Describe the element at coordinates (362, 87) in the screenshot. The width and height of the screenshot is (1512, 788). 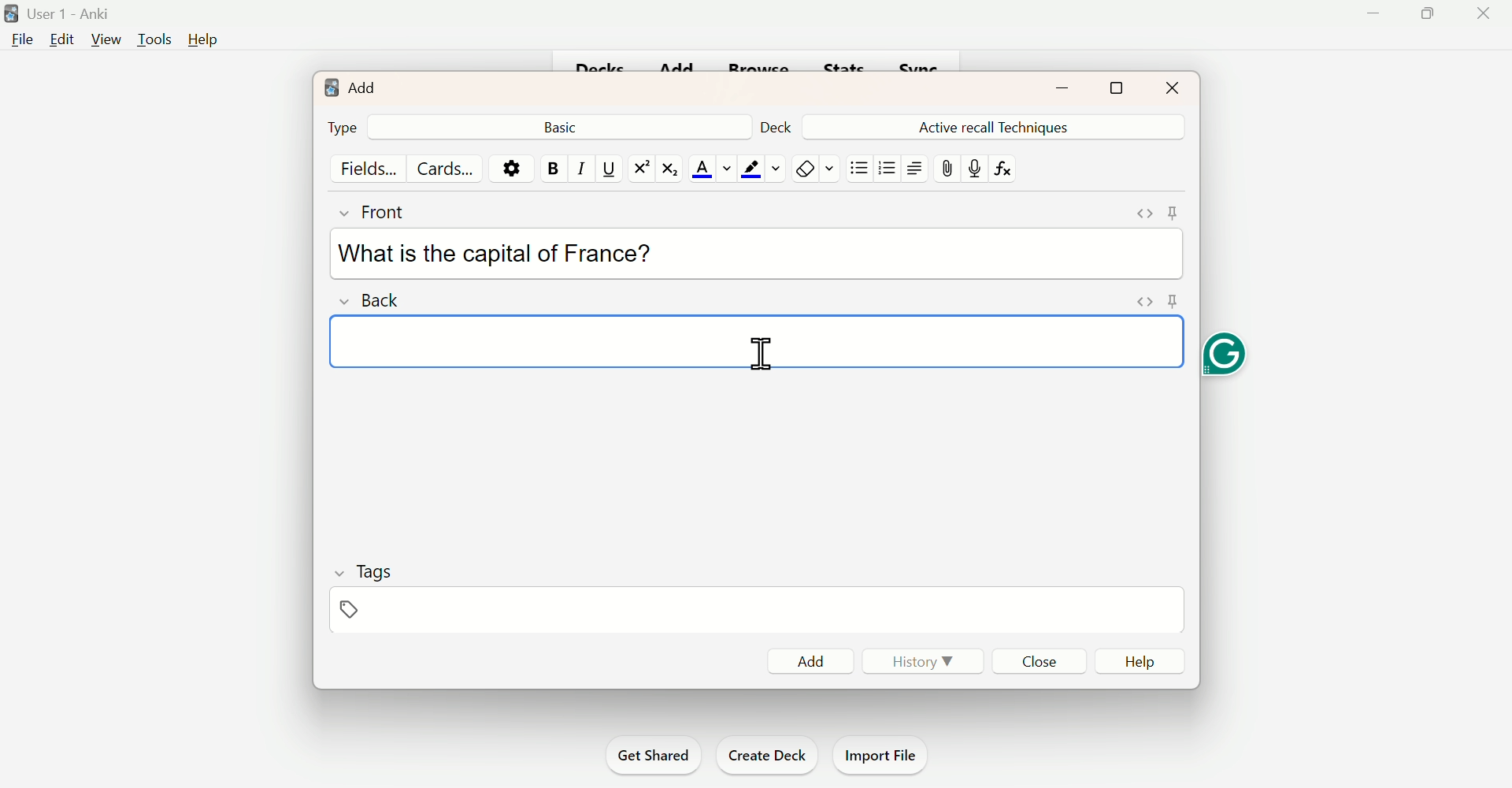
I see `Add` at that location.